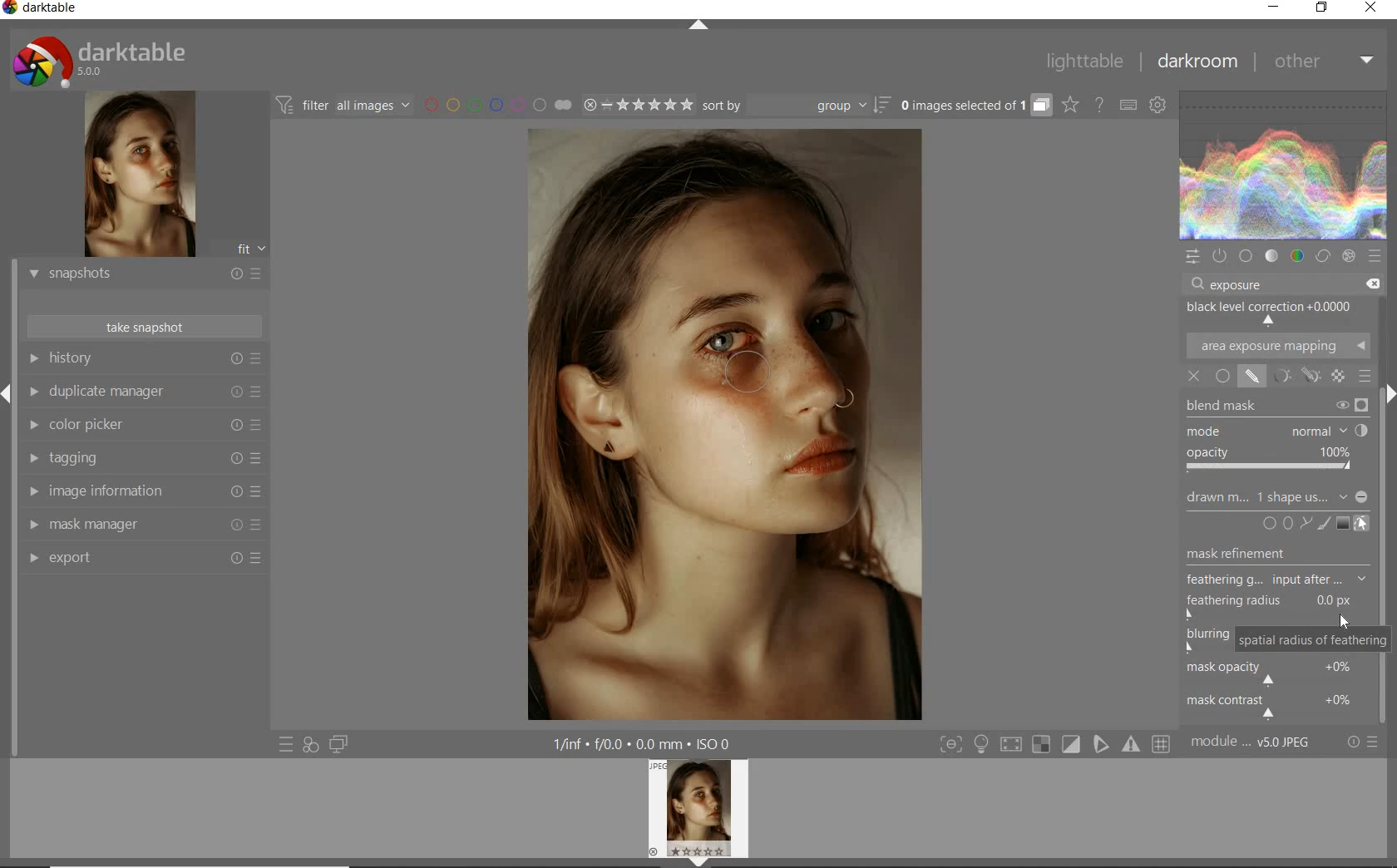 This screenshot has height=868, width=1397. What do you see at coordinates (1320, 62) in the screenshot?
I see `other` at bounding box center [1320, 62].